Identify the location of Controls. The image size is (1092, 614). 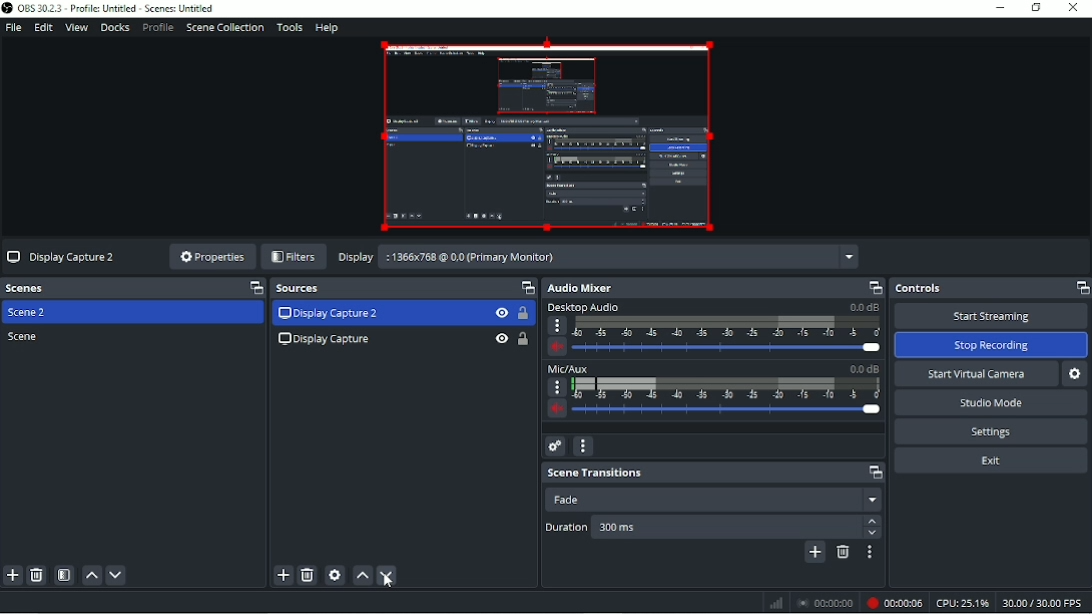
(990, 288).